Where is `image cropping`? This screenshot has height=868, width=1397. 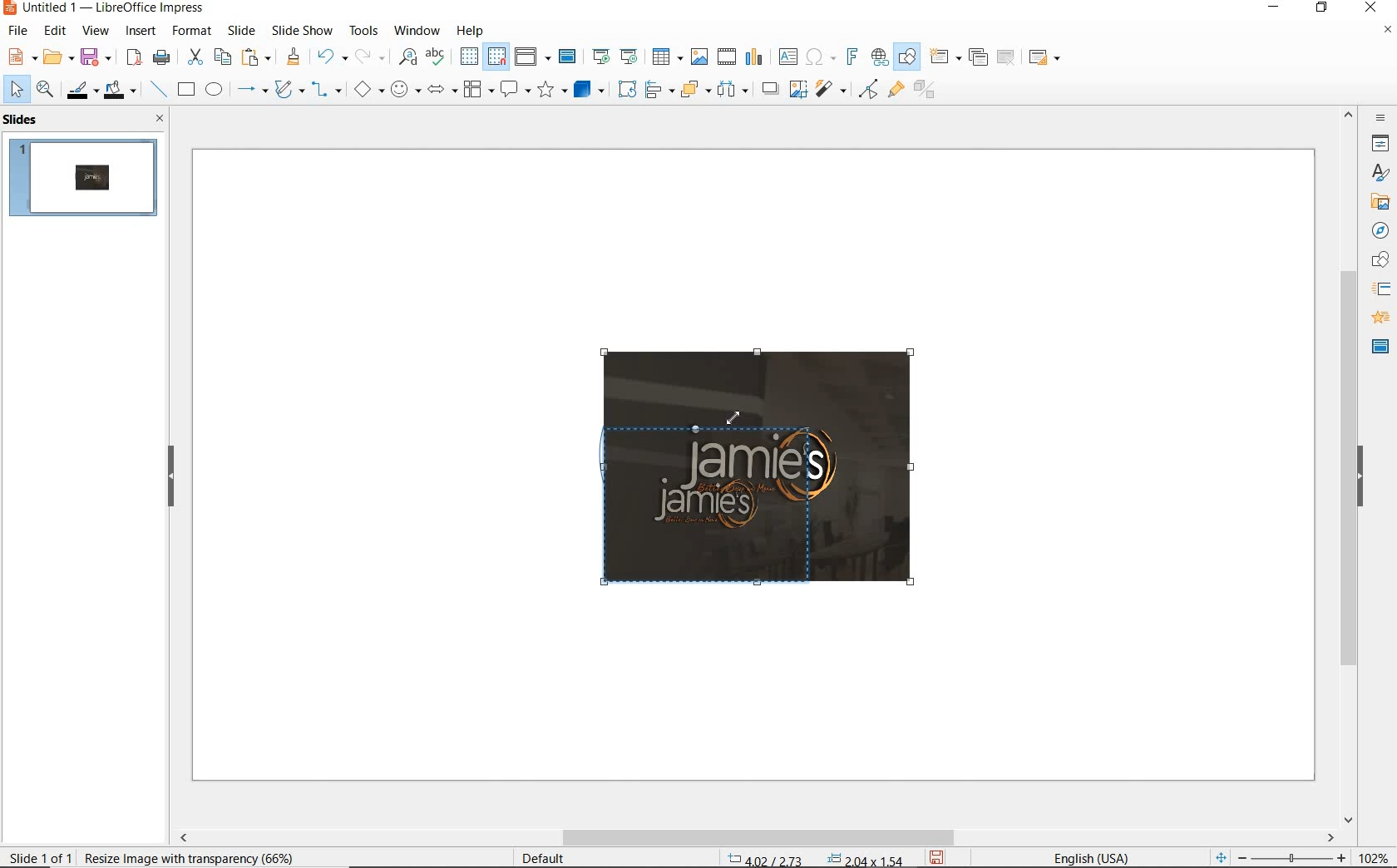 image cropping is located at coordinates (732, 506).